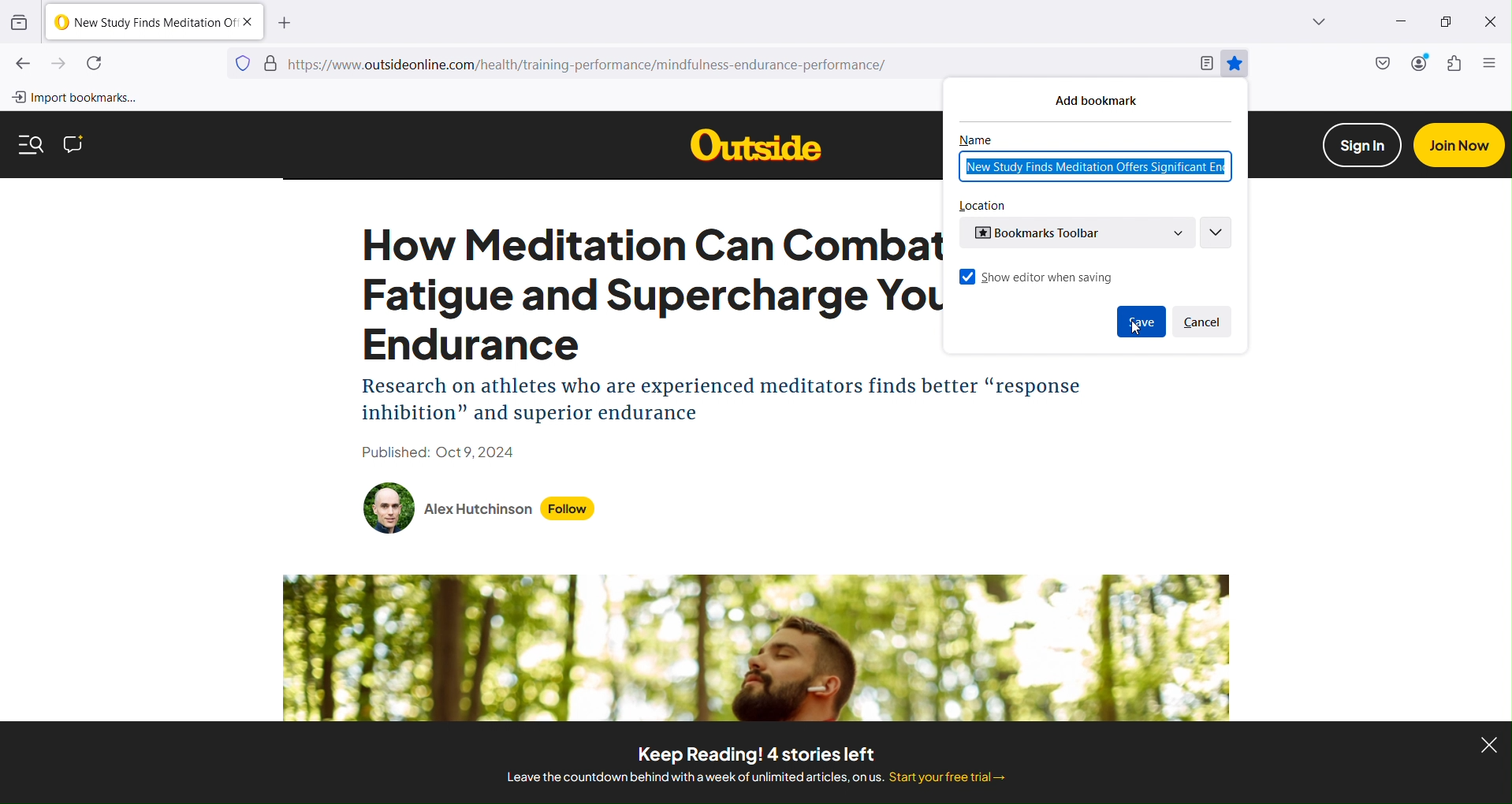 The image size is (1512, 804). What do you see at coordinates (285, 22) in the screenshot?
I see `Open a new tab` at bounding box center [285, 22].